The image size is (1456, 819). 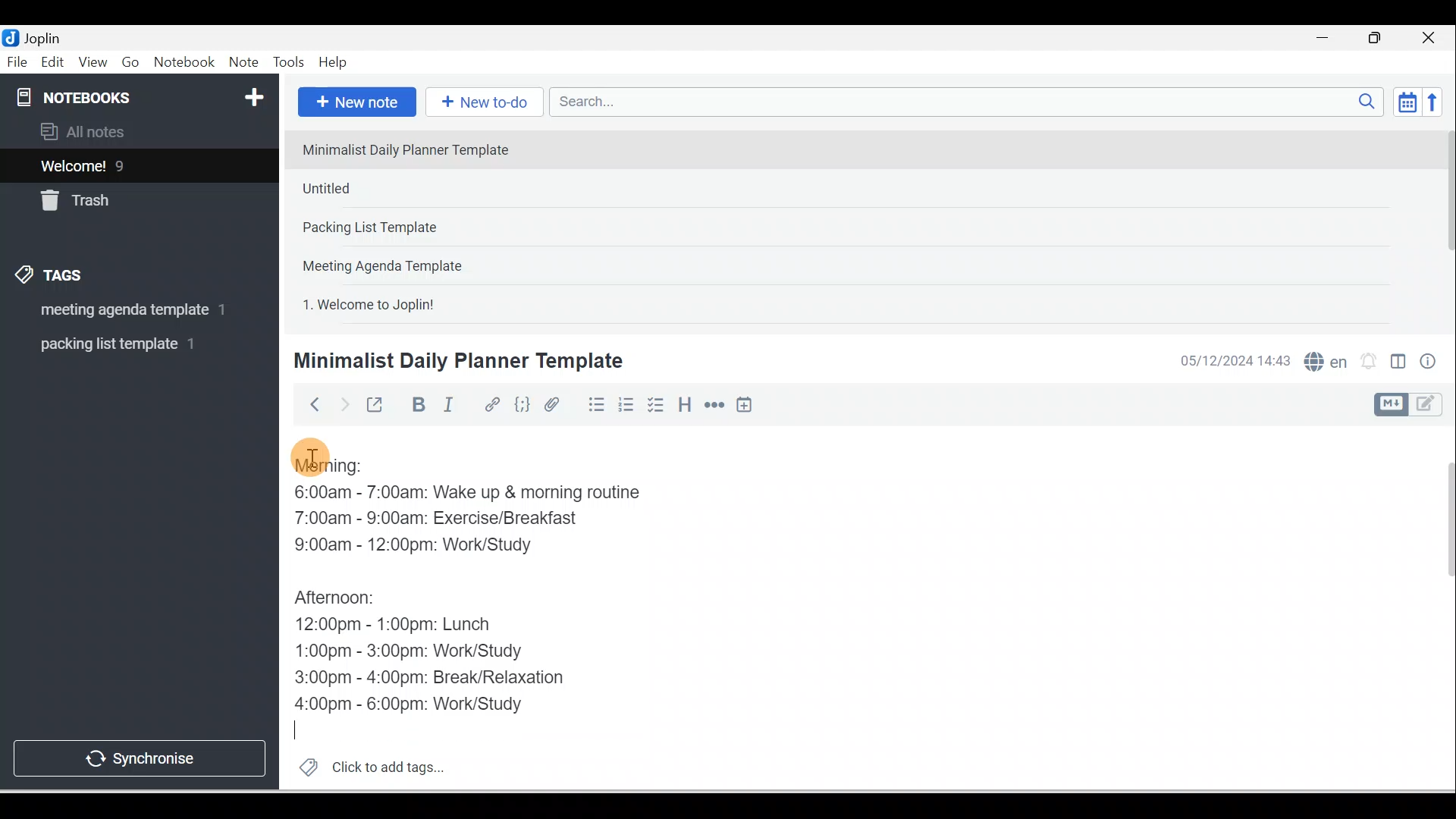 I want to click on Note 3, so click(x=418, y=228).